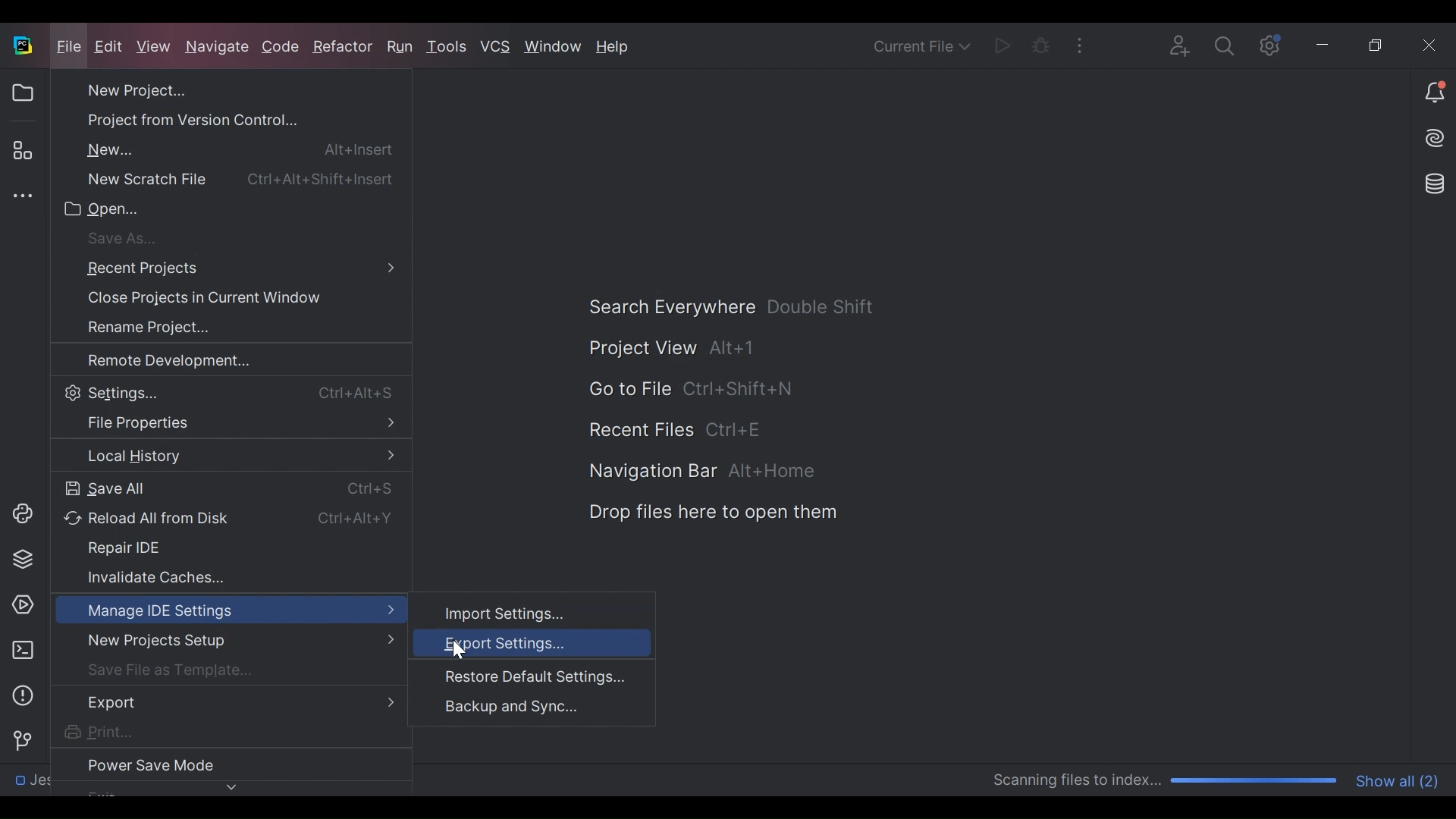 This screenshot has height=819, width=1456. Describe the element at coordinates (226, 609) in the screenshot. I see `Manage IDE Settings` at that location.